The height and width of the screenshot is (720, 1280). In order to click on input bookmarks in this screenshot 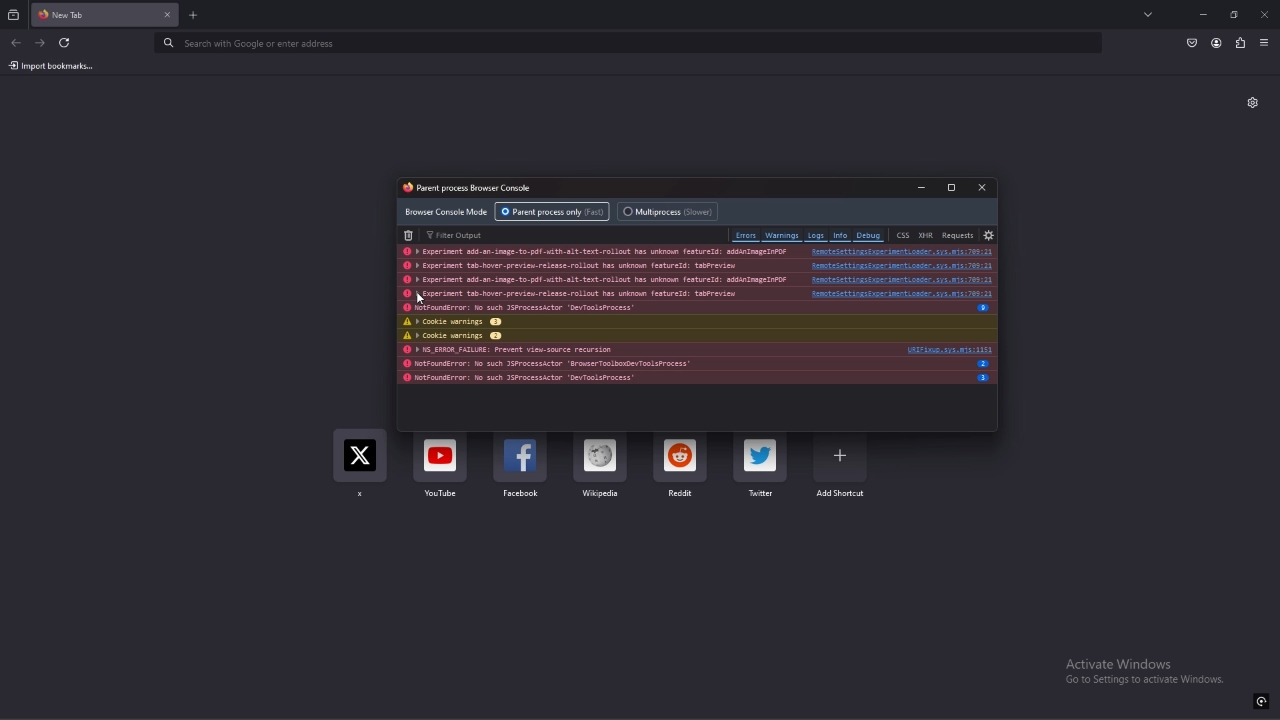, I will do `click(57, 65)`.